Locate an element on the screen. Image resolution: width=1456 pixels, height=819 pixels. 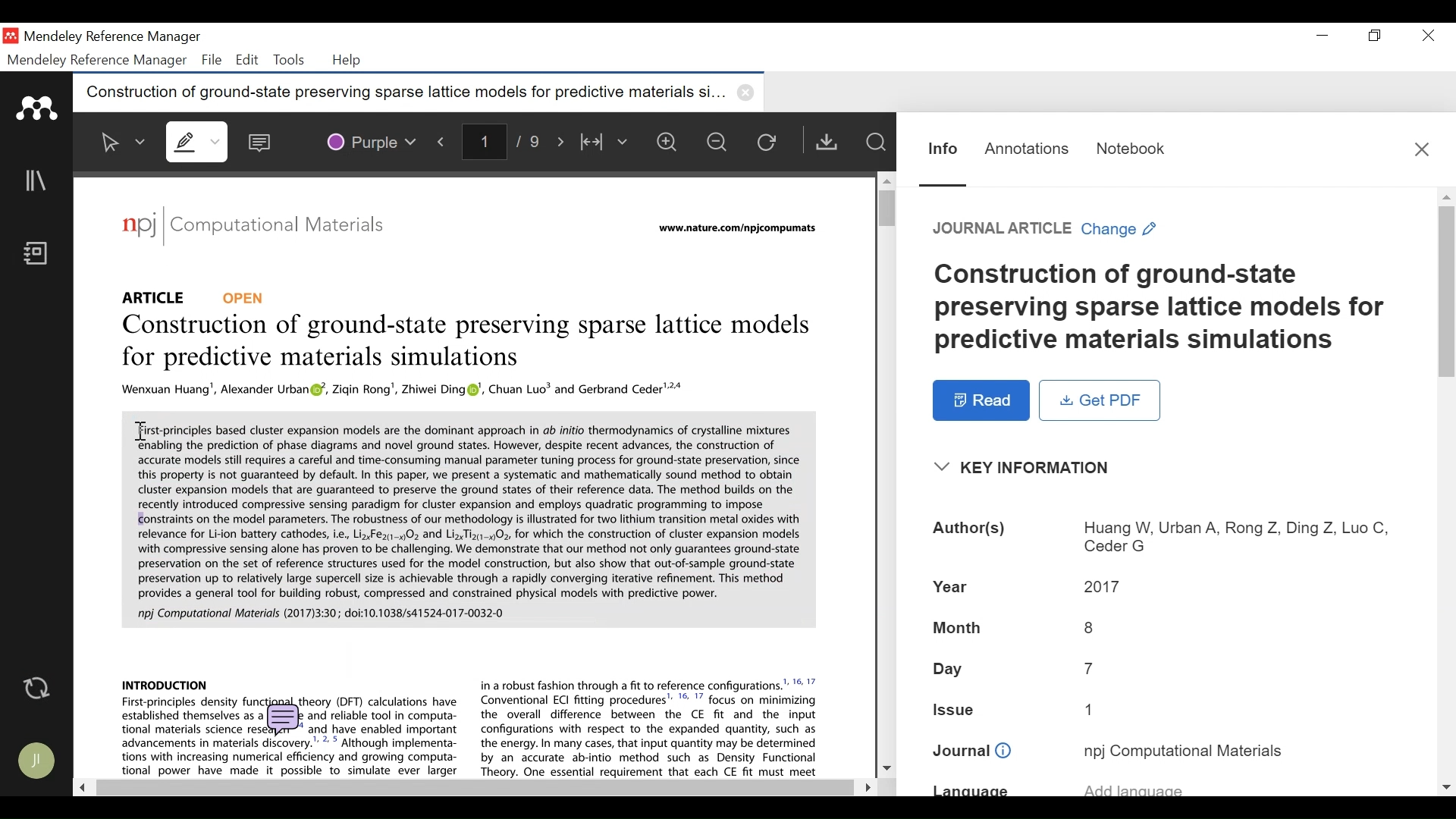
comment is located at coordinates (286, 720).